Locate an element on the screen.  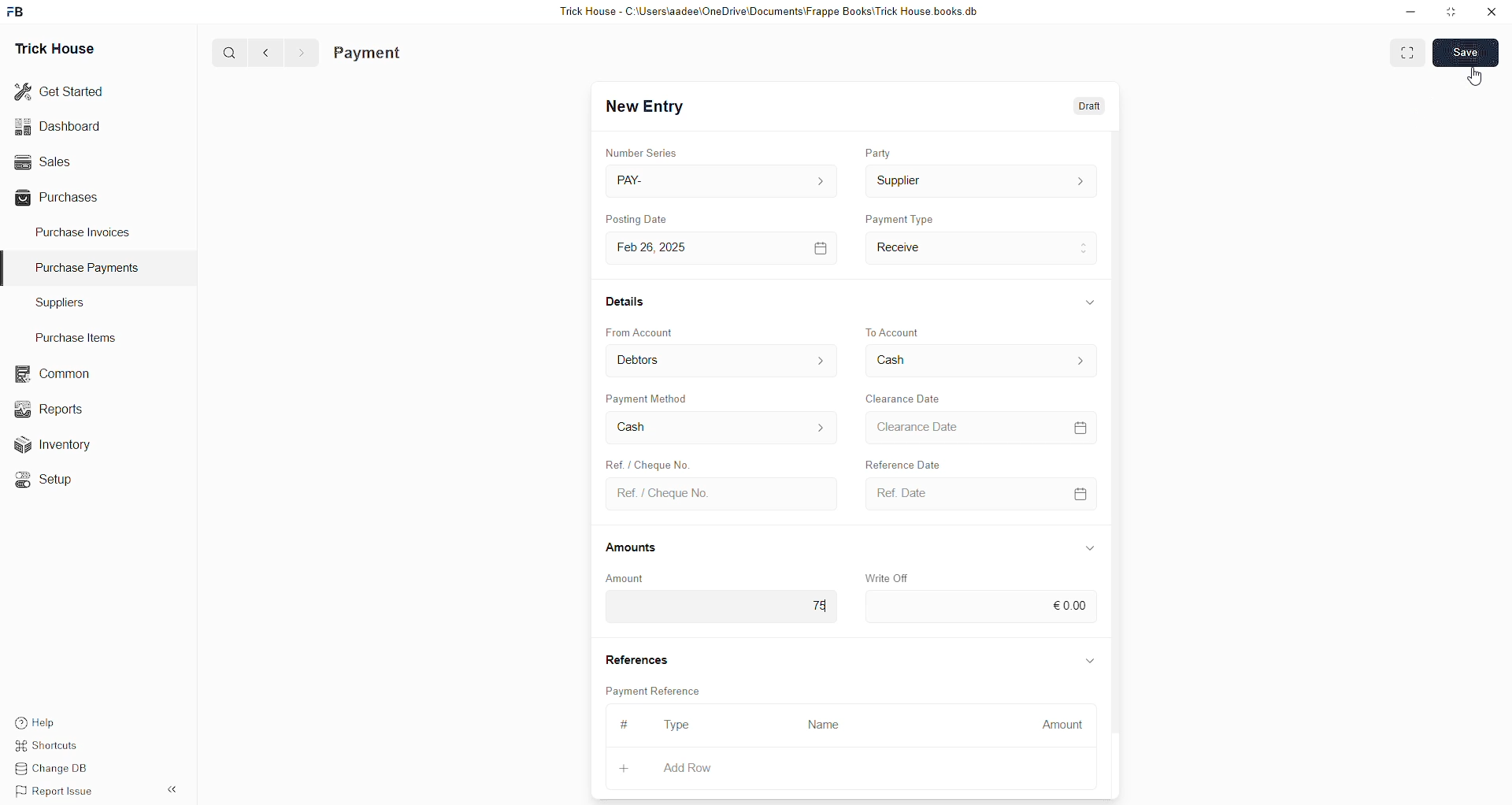
Change DB is located at coordinates (51, 767).